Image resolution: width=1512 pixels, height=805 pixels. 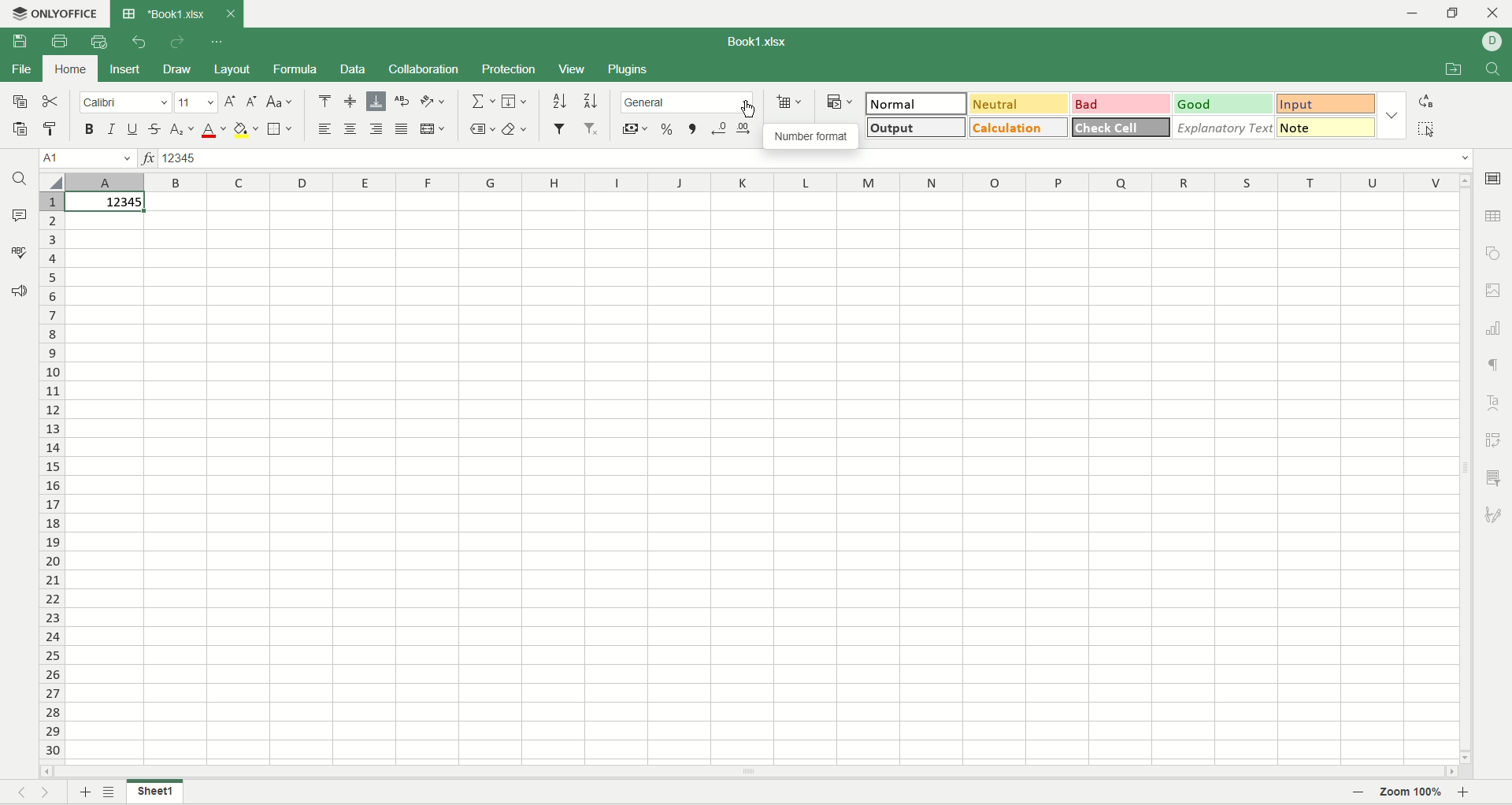 I want to click on percent style, so click(x=667, y=132).